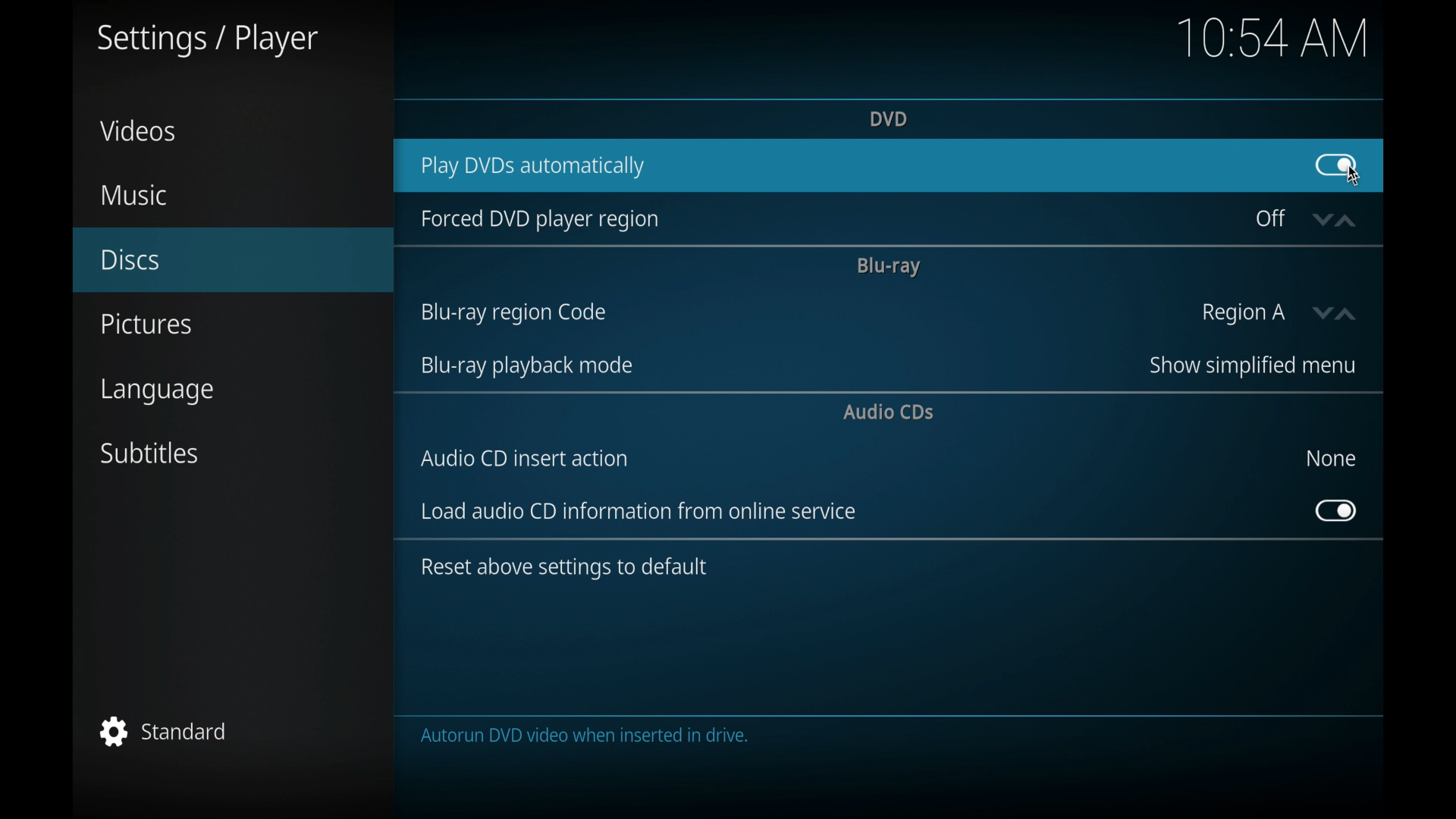 The height and width of the screenshot is (819, 1456). I want to click on videos, so click(138, 130).